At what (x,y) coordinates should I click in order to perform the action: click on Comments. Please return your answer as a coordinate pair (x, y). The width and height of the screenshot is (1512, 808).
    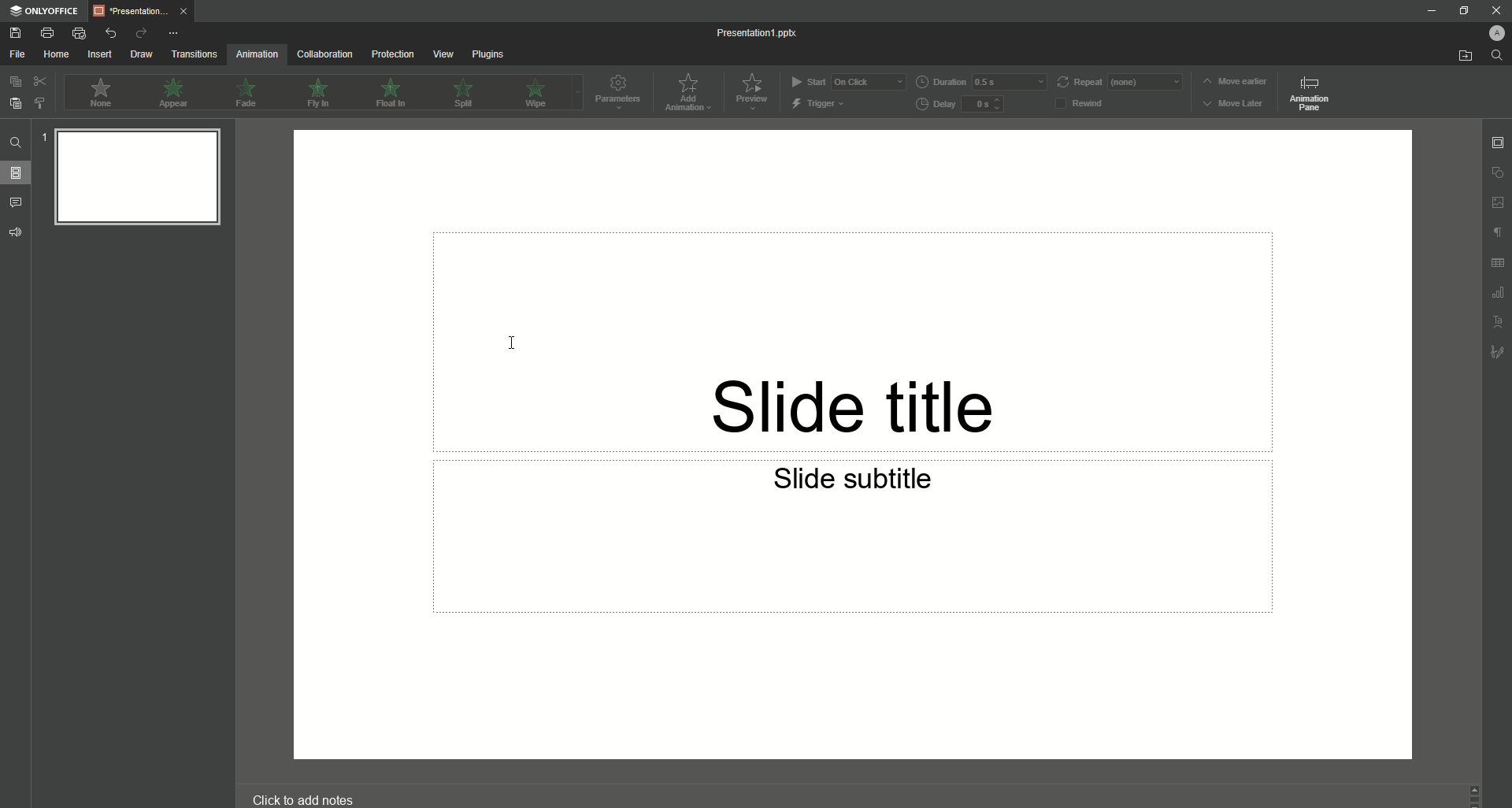
    Looking at the image, I should click on (17, 202).